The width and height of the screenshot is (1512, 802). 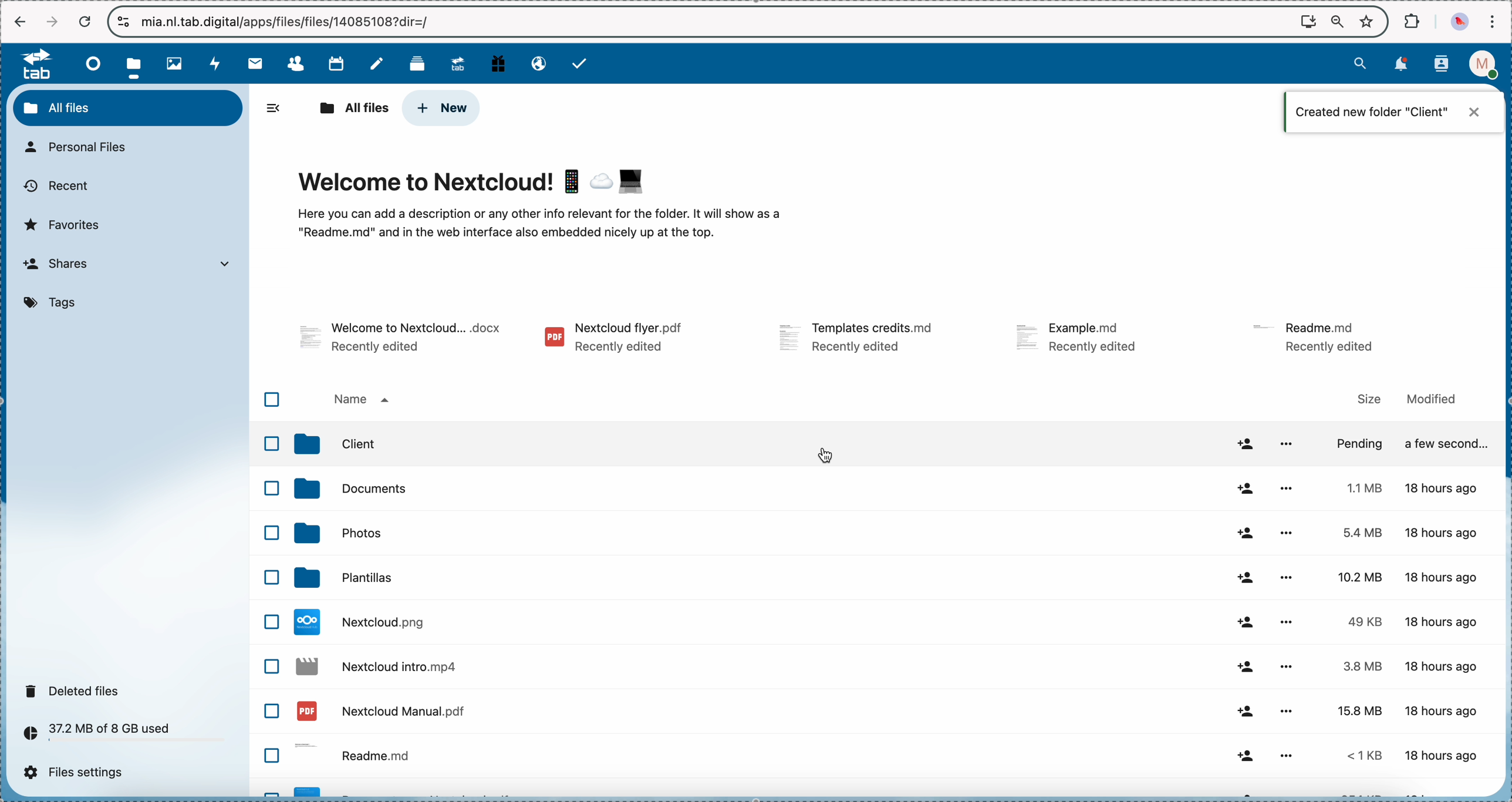 What do you see at coordinates (1442, 65) in the screenshot?
I see `contacts` at bounding box center [1442, 65].